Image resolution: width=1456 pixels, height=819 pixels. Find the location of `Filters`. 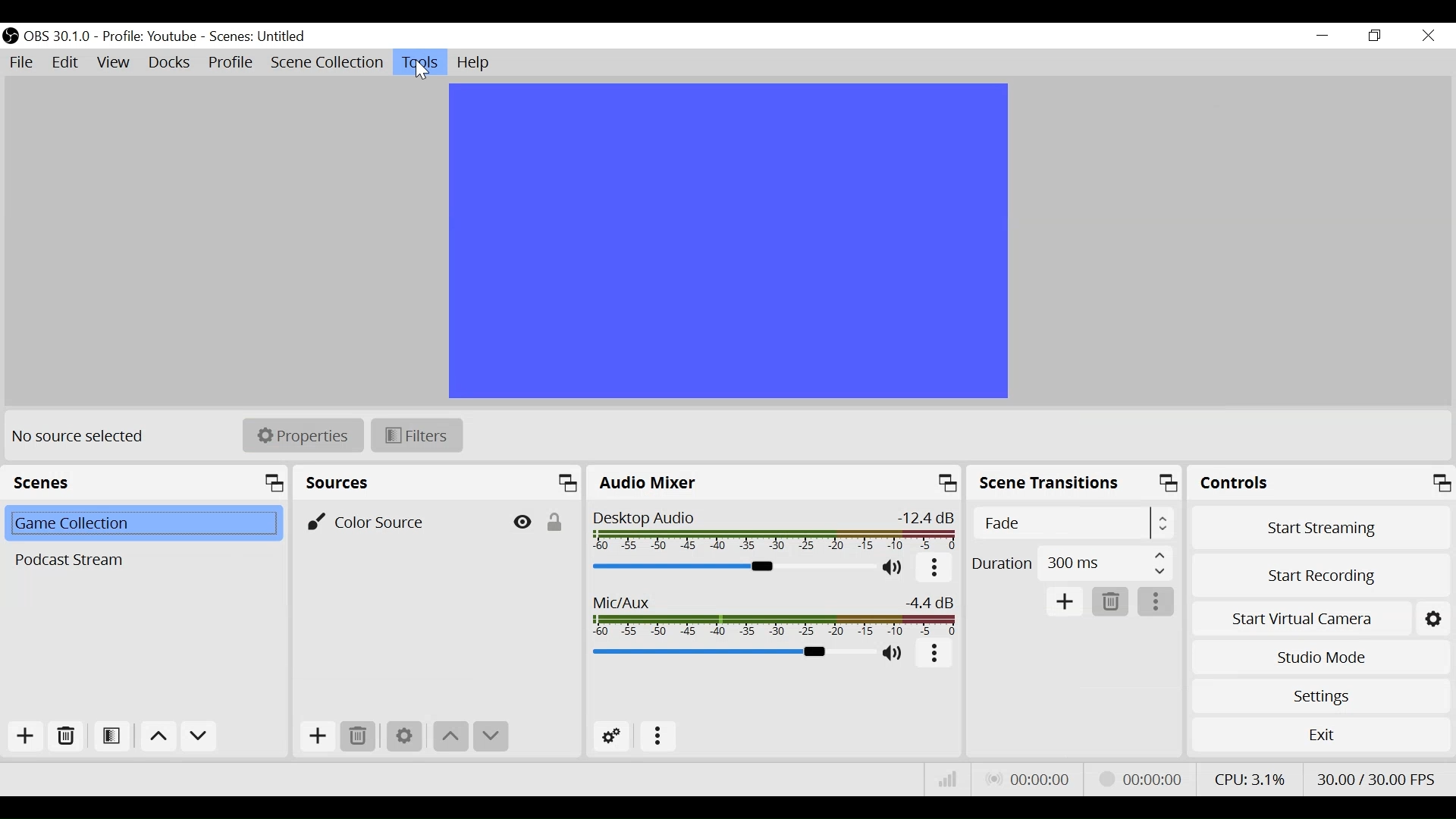

Filters is located at coordinates (416, 435).